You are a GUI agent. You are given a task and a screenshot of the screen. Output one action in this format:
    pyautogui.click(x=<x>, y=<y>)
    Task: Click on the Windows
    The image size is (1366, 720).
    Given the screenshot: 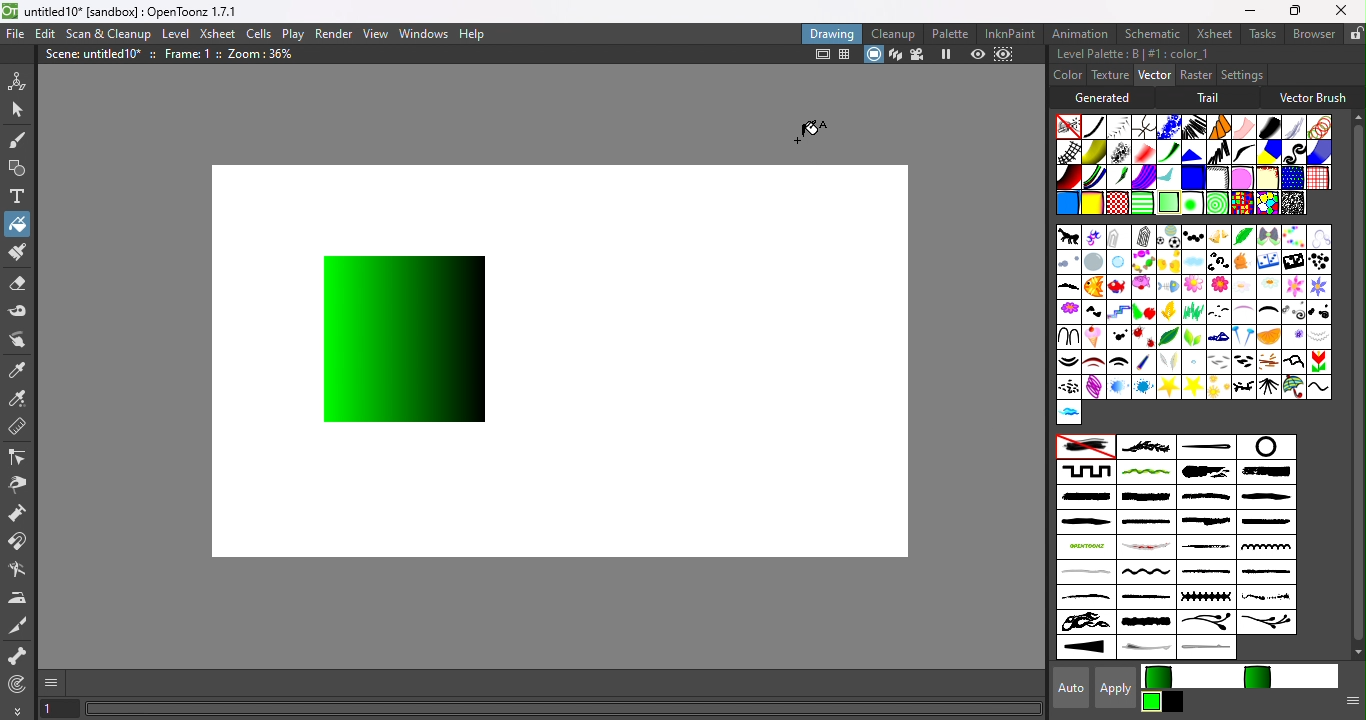 What is the action you would take?
    pyautogui.click(x=424, y=32)
    